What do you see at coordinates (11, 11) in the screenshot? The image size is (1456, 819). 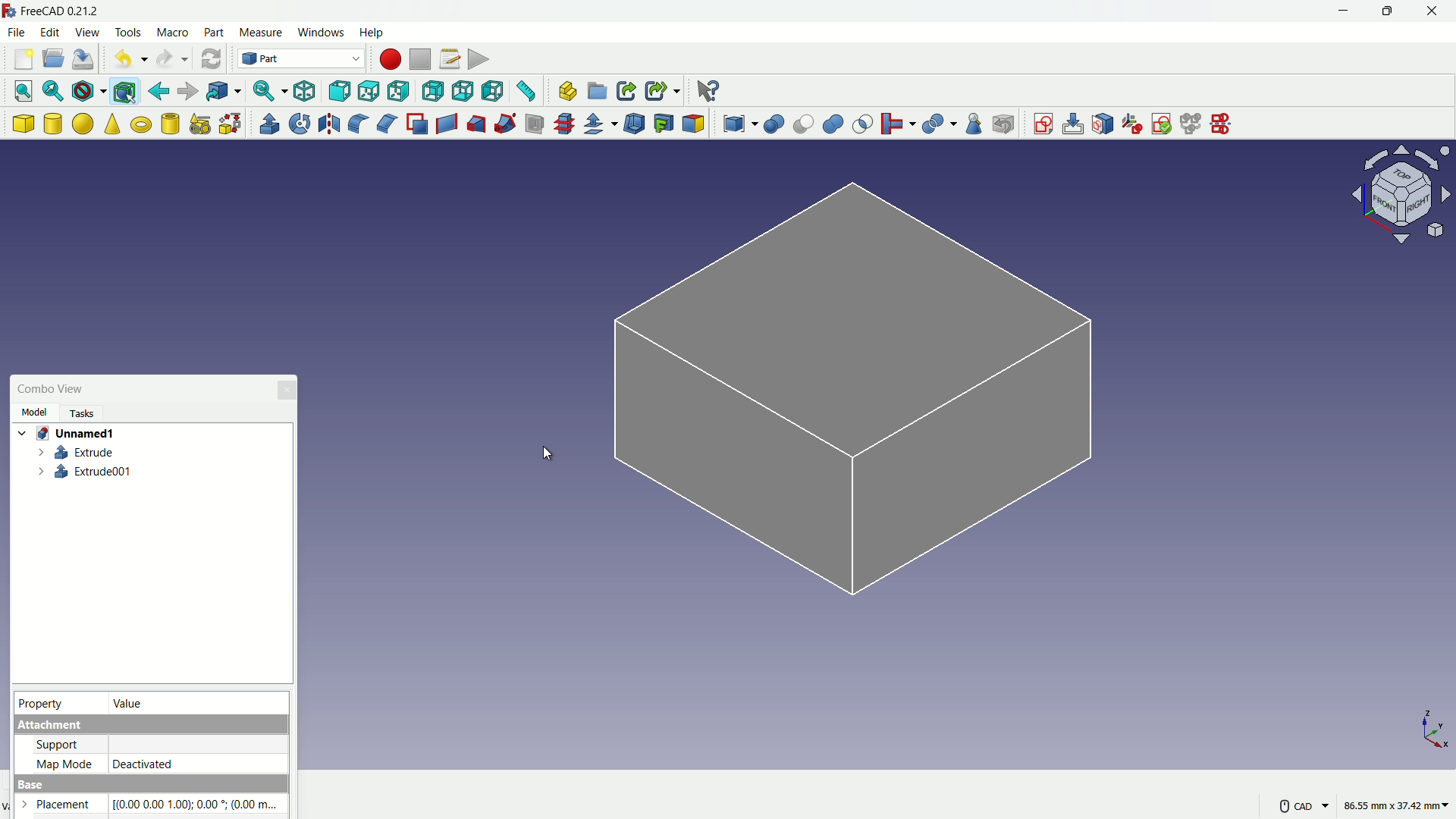 I see `logo` at bounding box center [11, 11].